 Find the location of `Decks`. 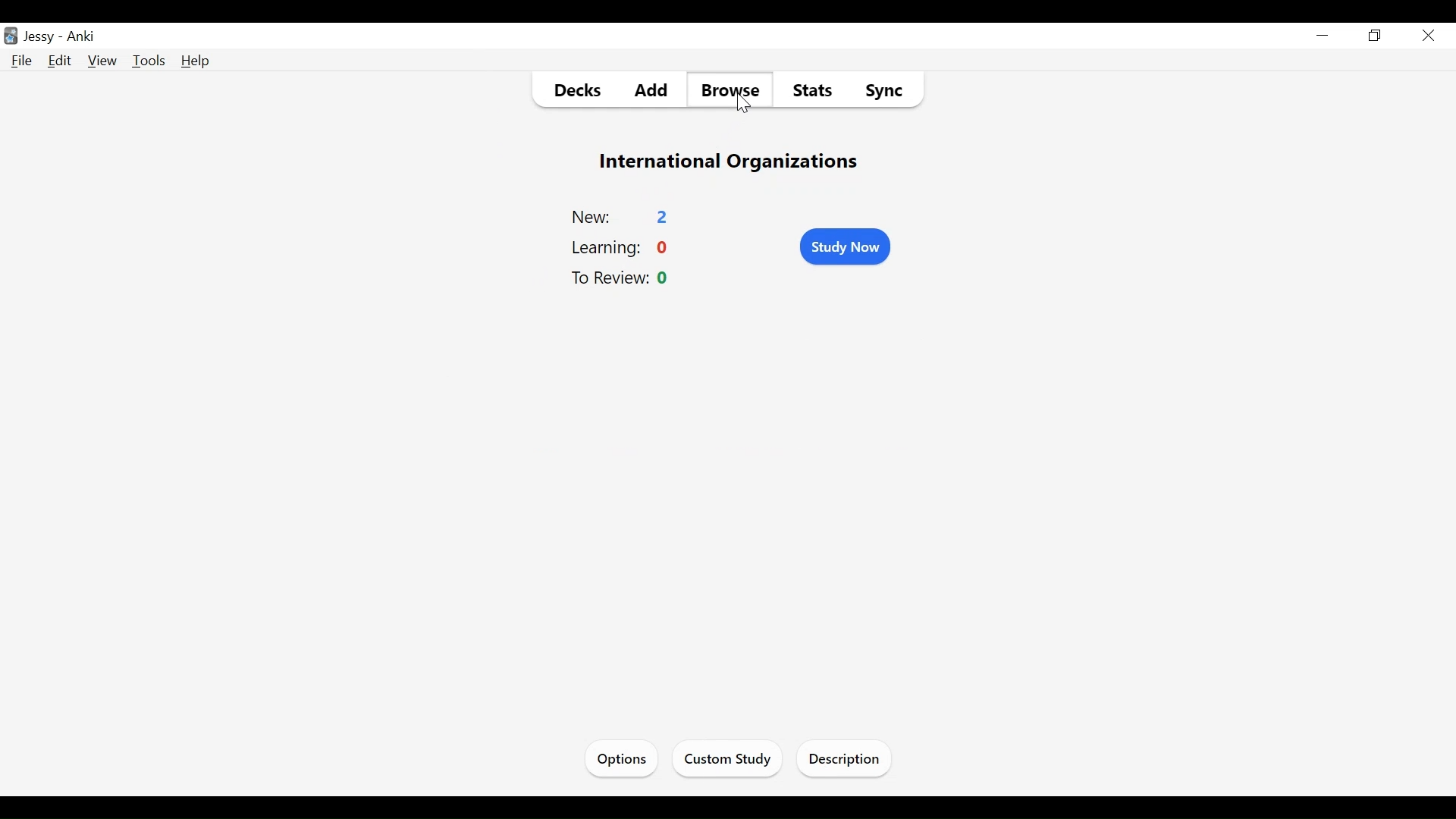

Decks is located at coordinates (571, 92).